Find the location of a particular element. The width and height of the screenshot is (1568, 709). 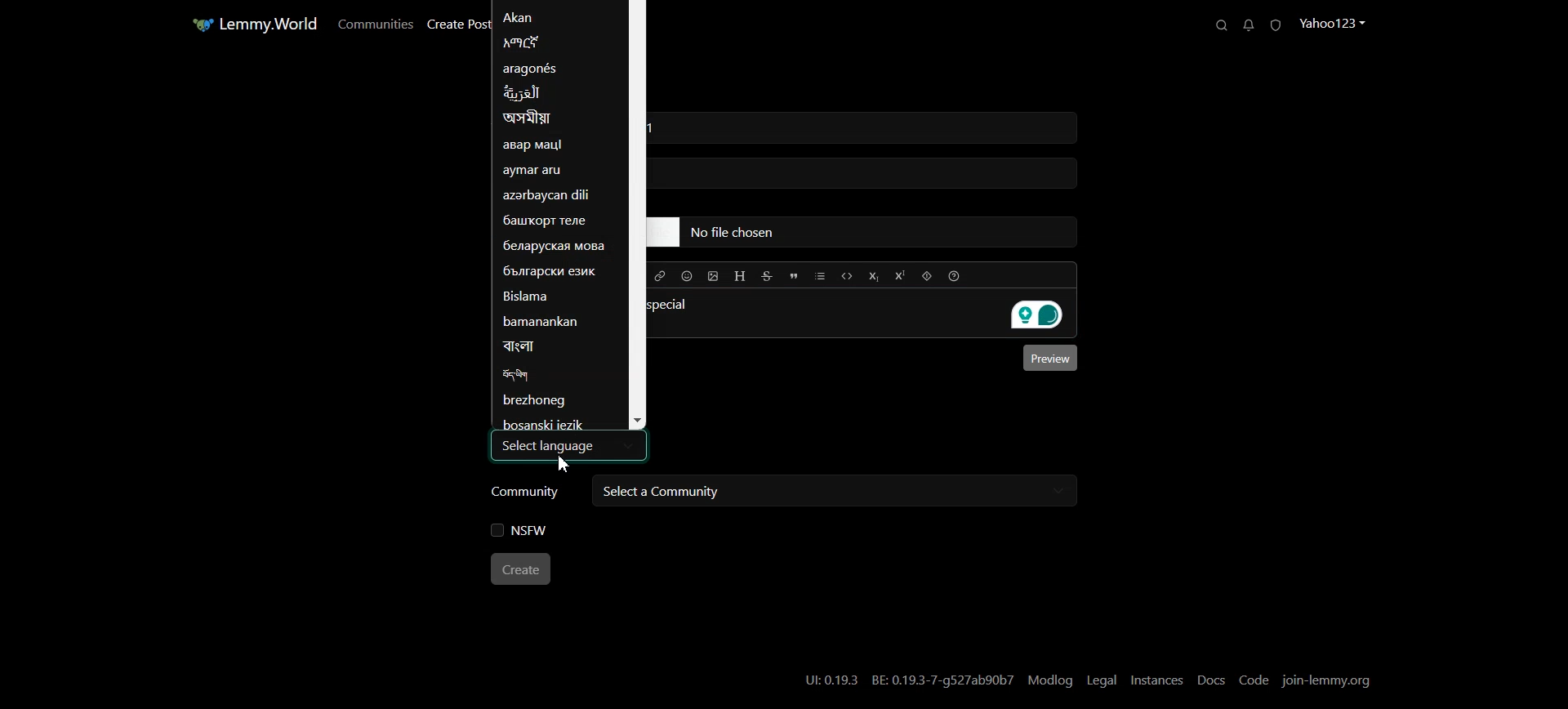

Create is located at coordinates (523, 570).